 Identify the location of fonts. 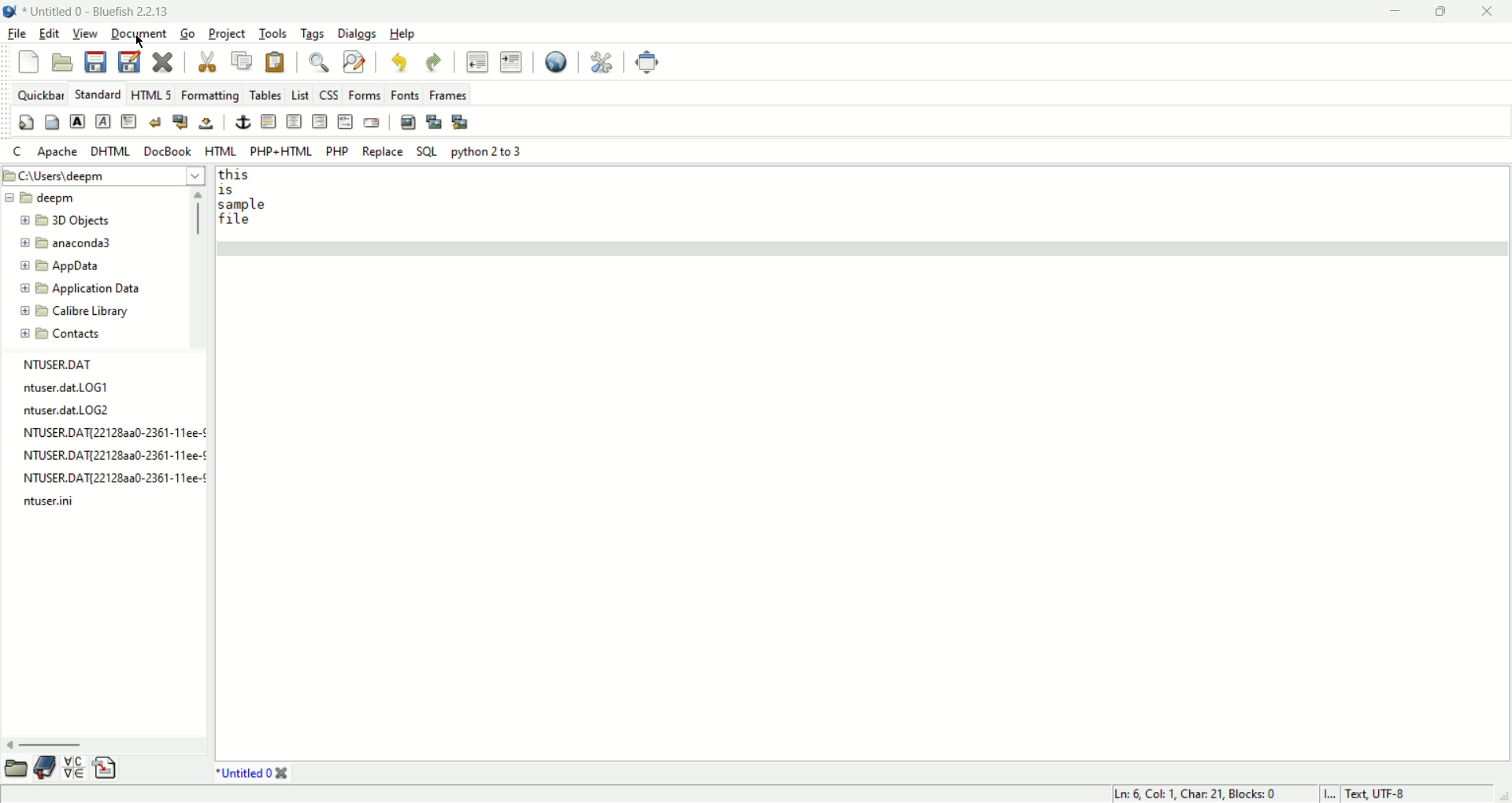
(405, 94).